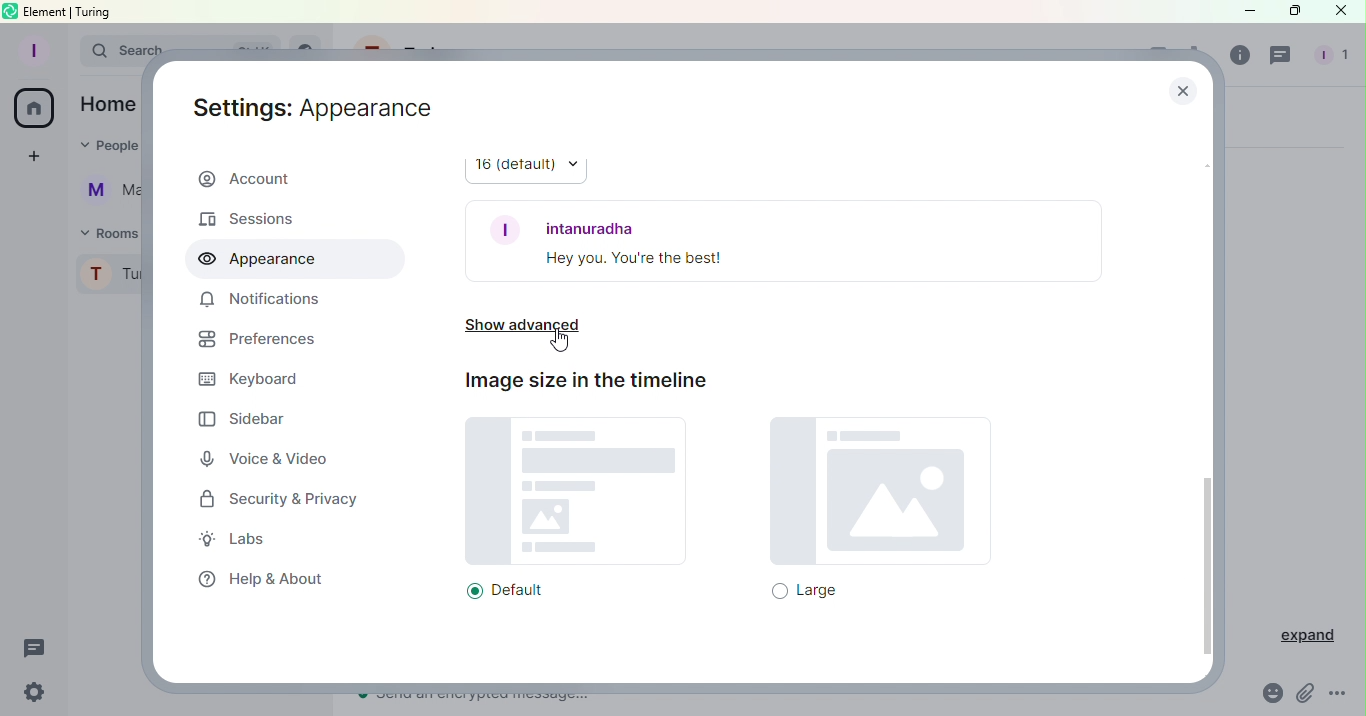 This screenshot has width=1366, height=716. What do you see at coordinates (279, 179) in the screenshot?
I see `Account` at bounding box center [279, 179].